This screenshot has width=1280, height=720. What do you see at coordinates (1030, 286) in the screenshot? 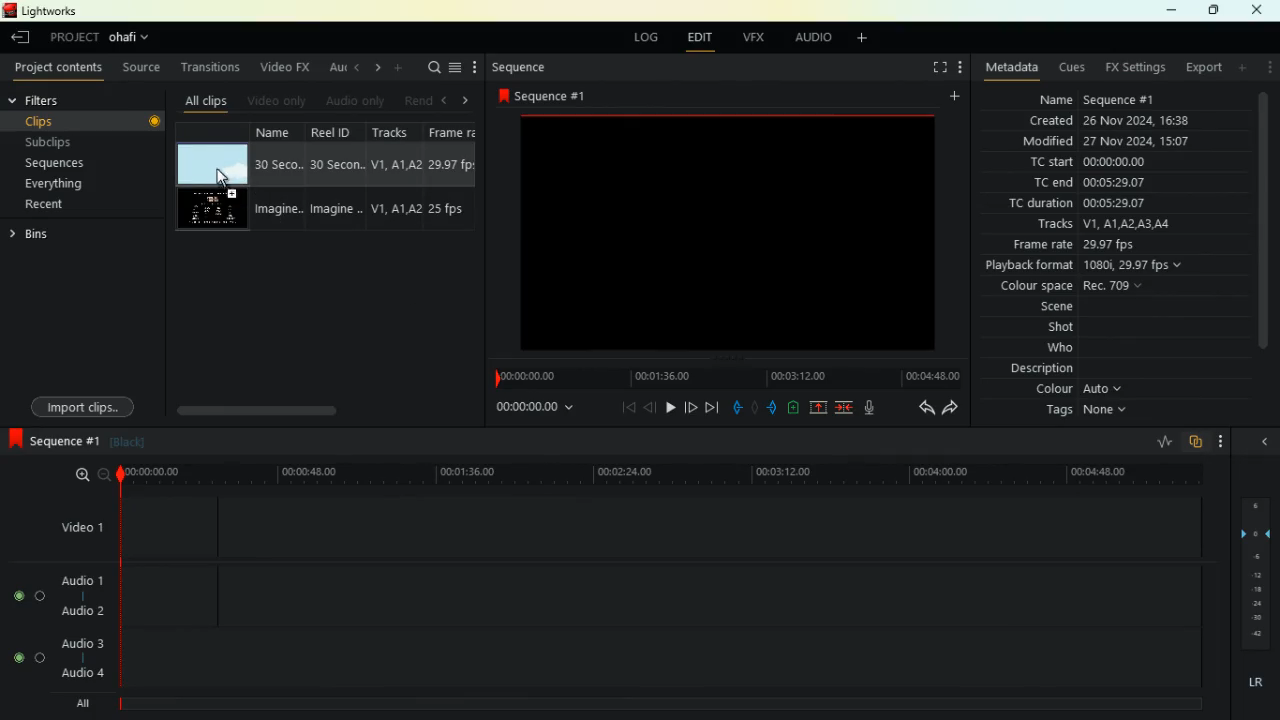
I see `colour space` at bounding box center [1030, 286].